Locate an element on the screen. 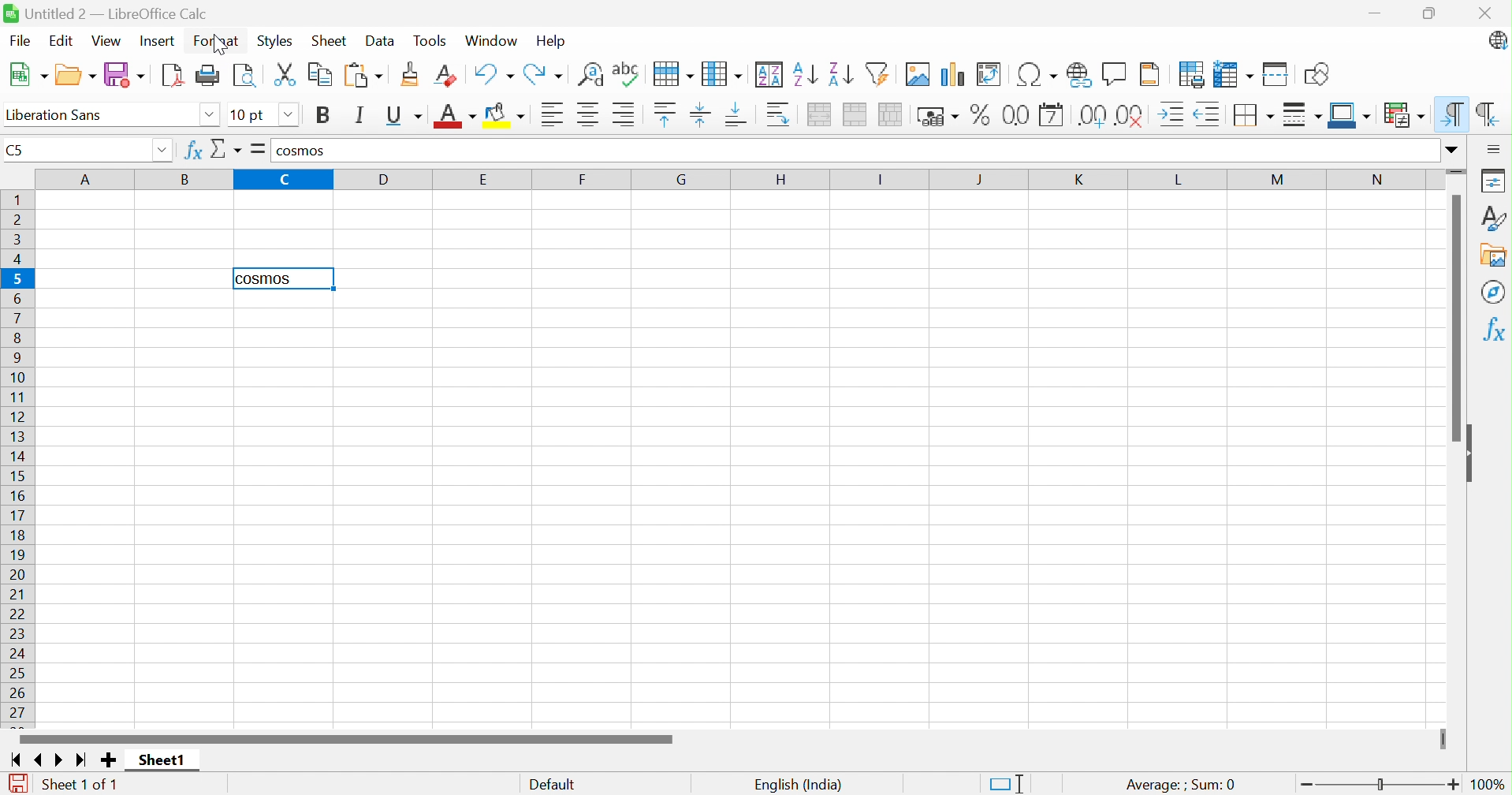 This screenshot has height=795, width=1512. Styles is located at coordinates (275, 42).